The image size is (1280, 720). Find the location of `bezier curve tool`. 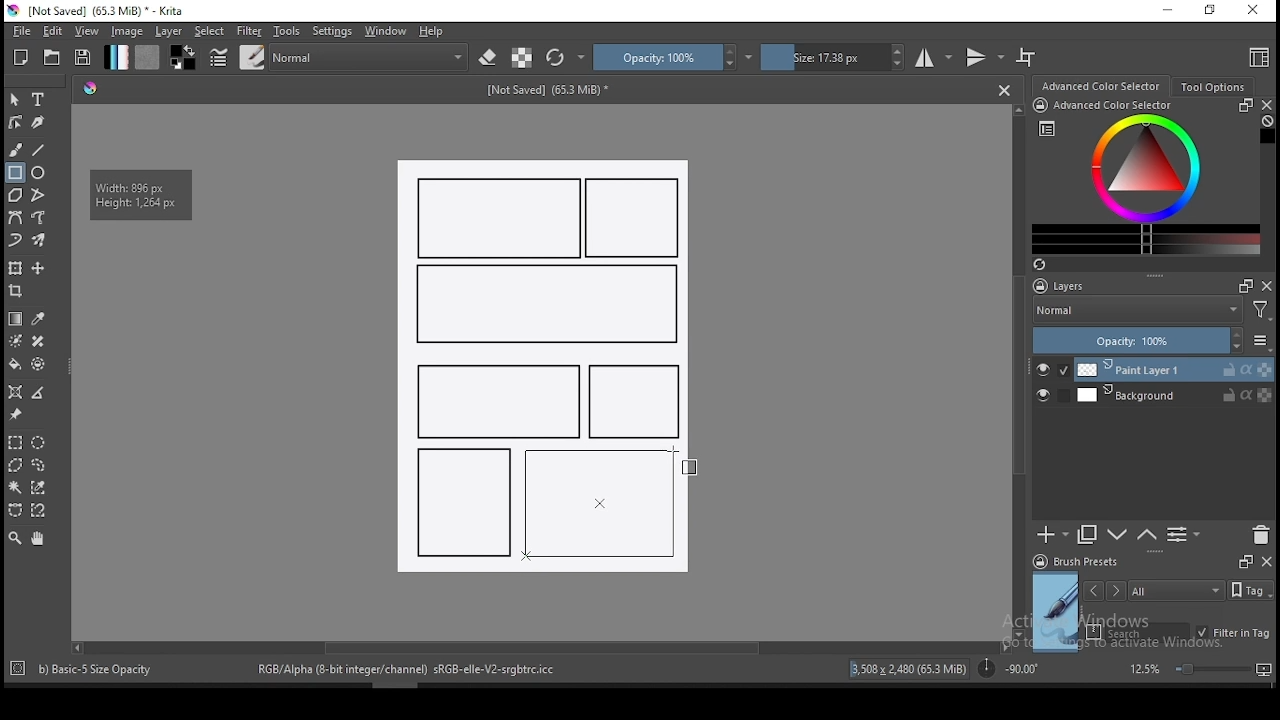

bezier curve tool is located at coordinates (14, 219).